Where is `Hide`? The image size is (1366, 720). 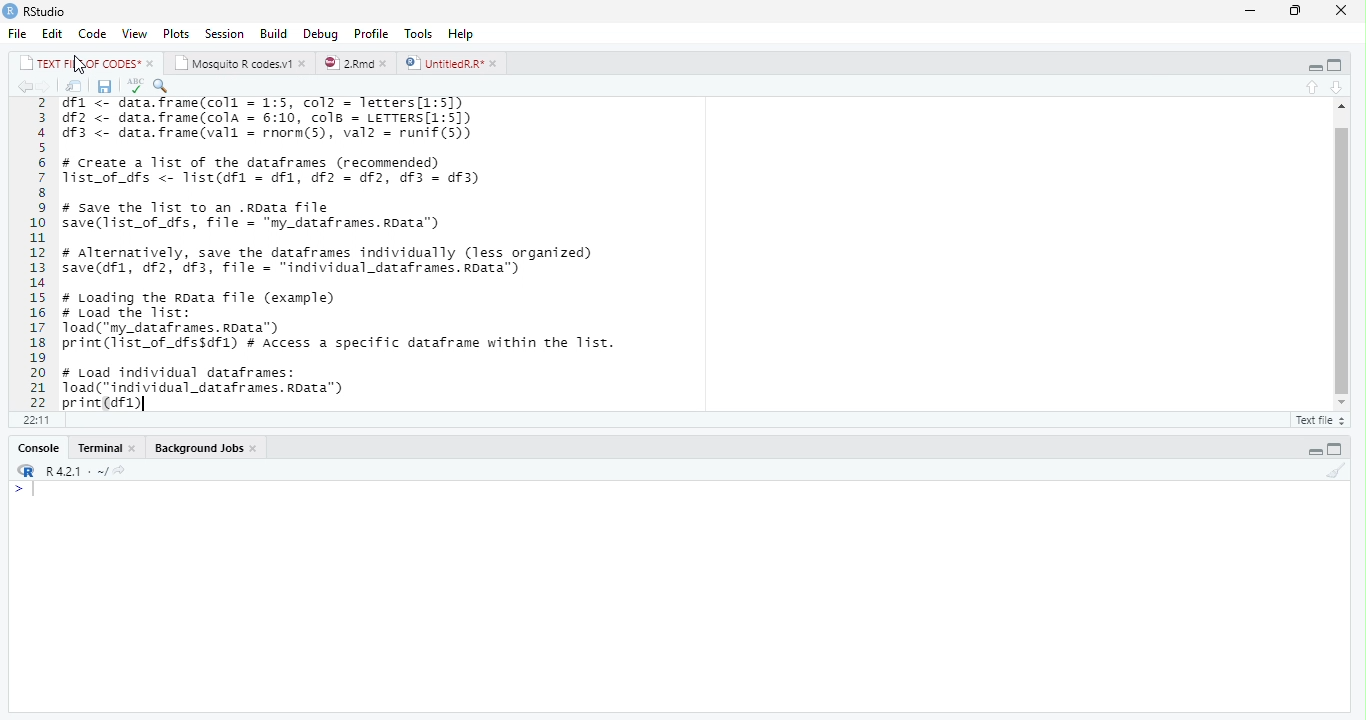
Hide is located at coordinates (1312, 65).